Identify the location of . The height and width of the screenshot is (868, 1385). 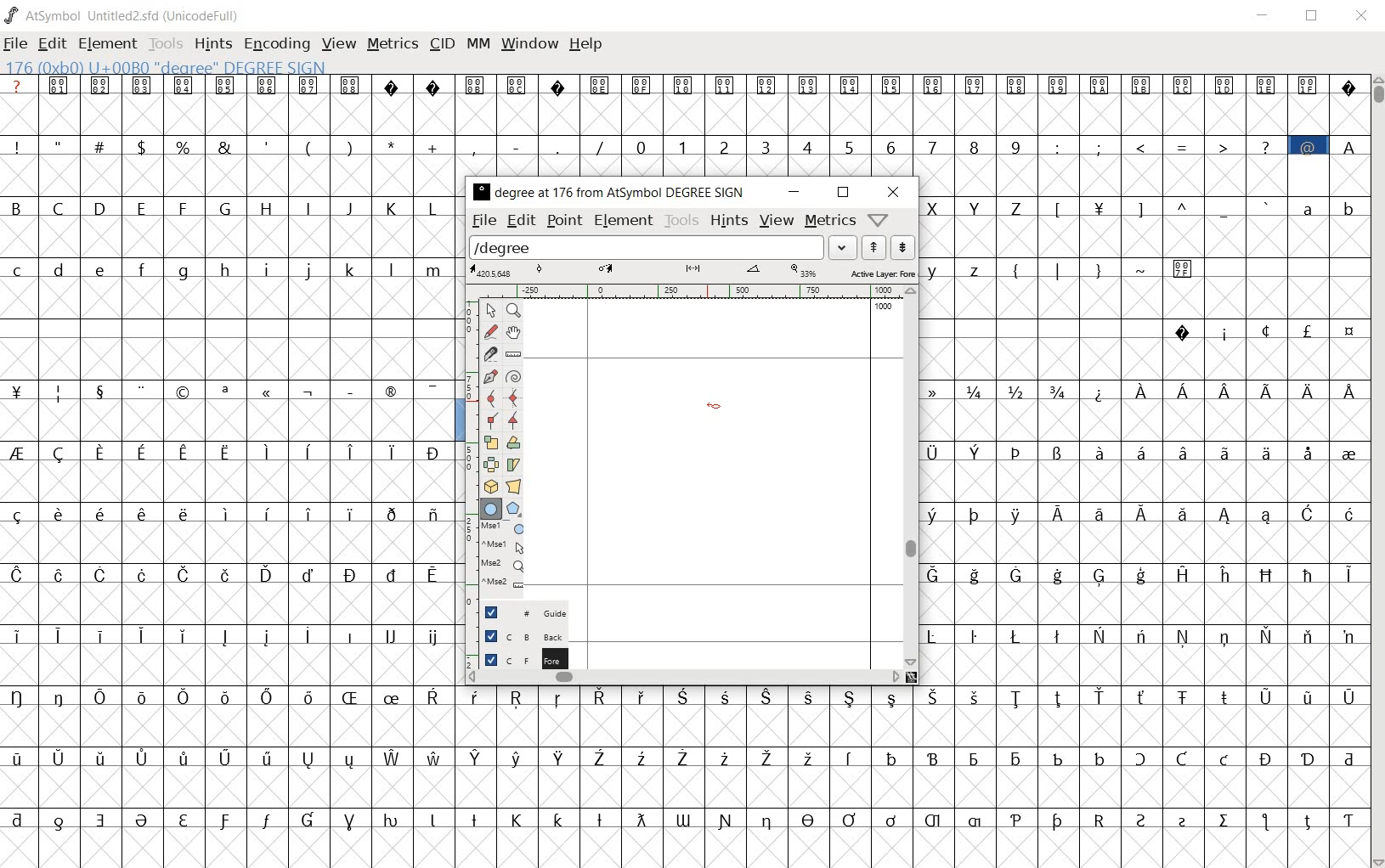
(224, 573).